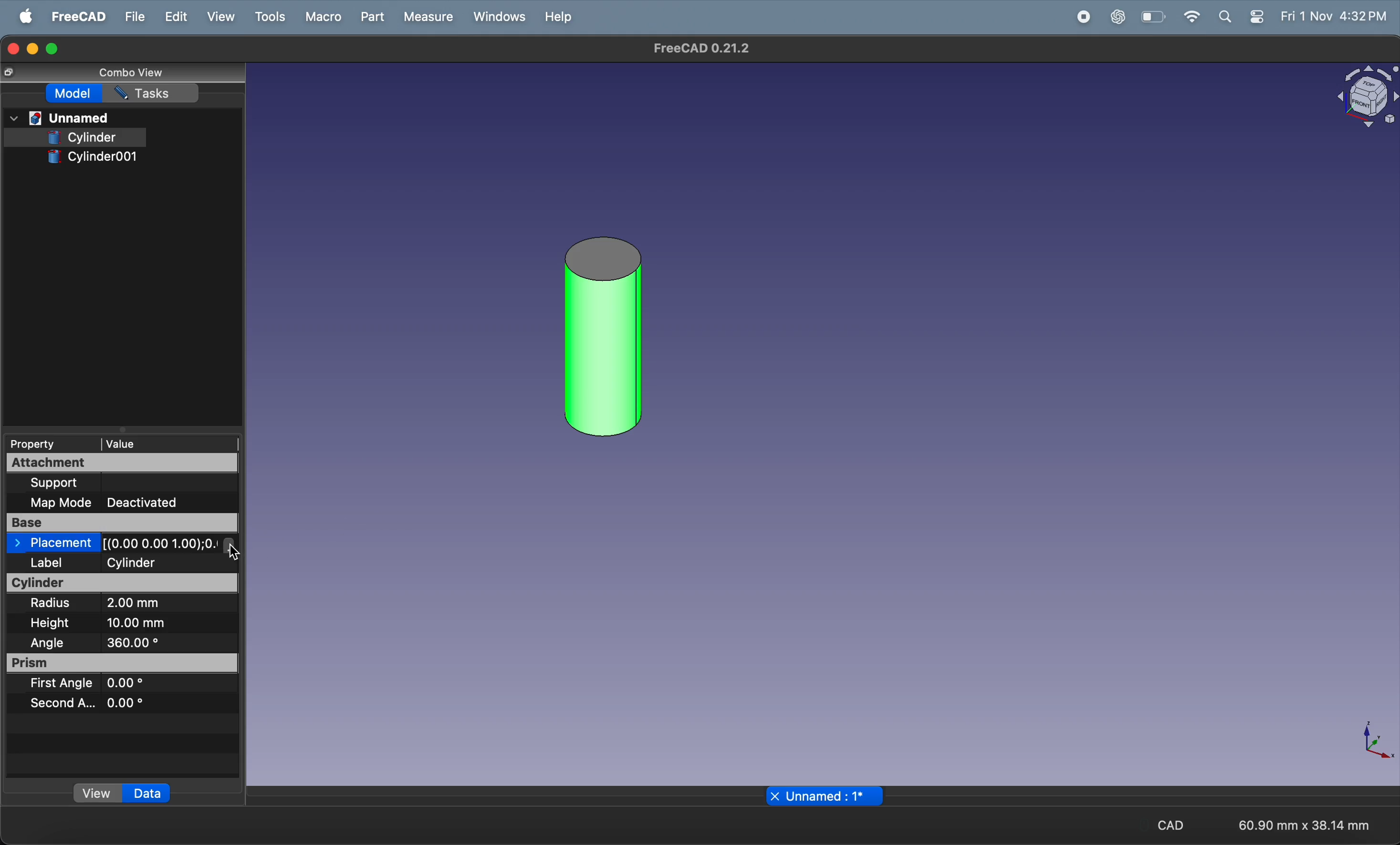 The image size is (1400, 845). What do you see at coordinates (143, 623) in the screenshot?
I see `10.00 mm` at bounding box center [143, 623].